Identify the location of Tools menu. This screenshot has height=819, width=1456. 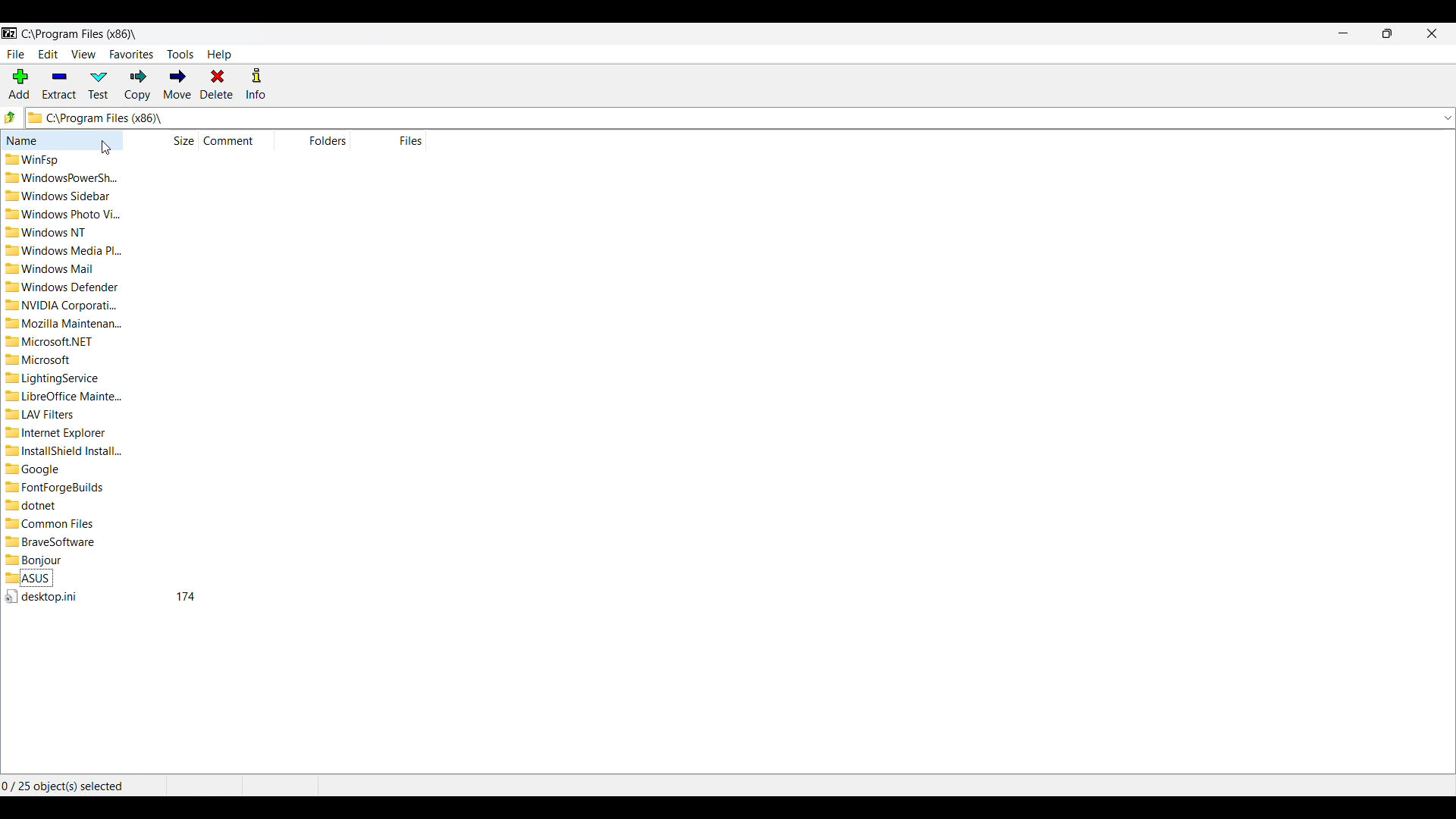
(180, 55).